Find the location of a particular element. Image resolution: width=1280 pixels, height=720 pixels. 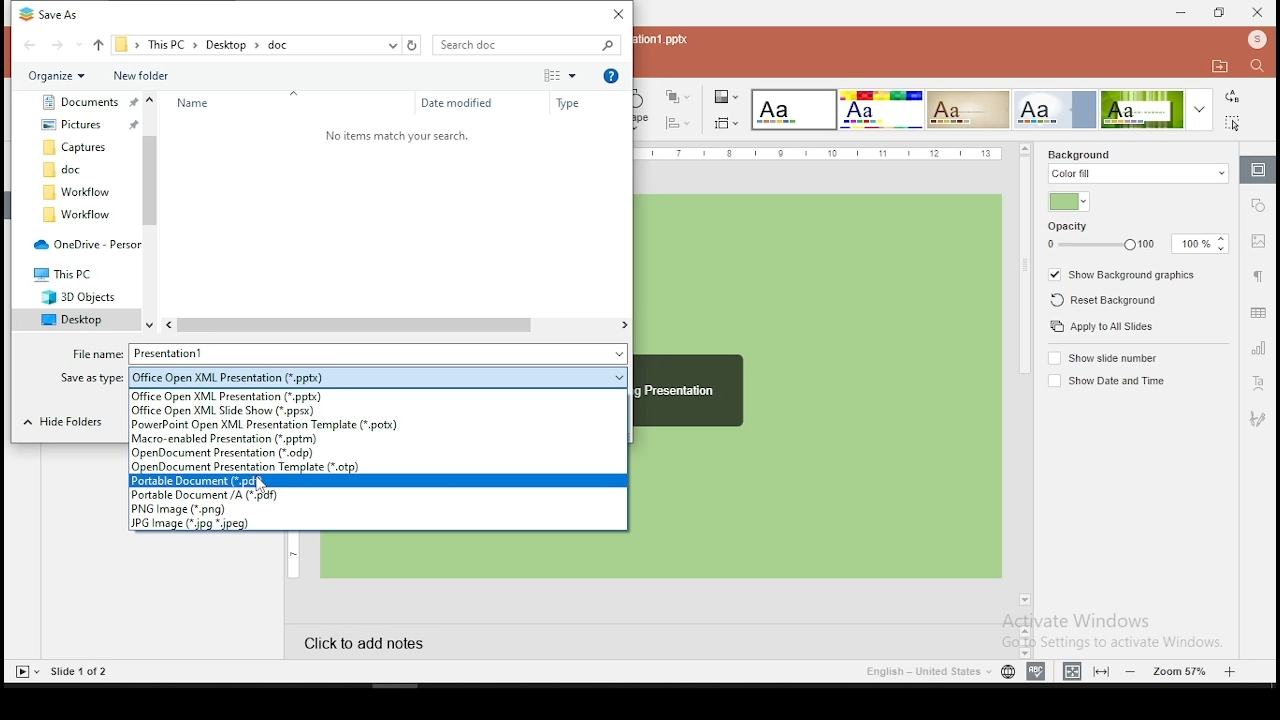

chart settings is located at coordinates (1258, 349).